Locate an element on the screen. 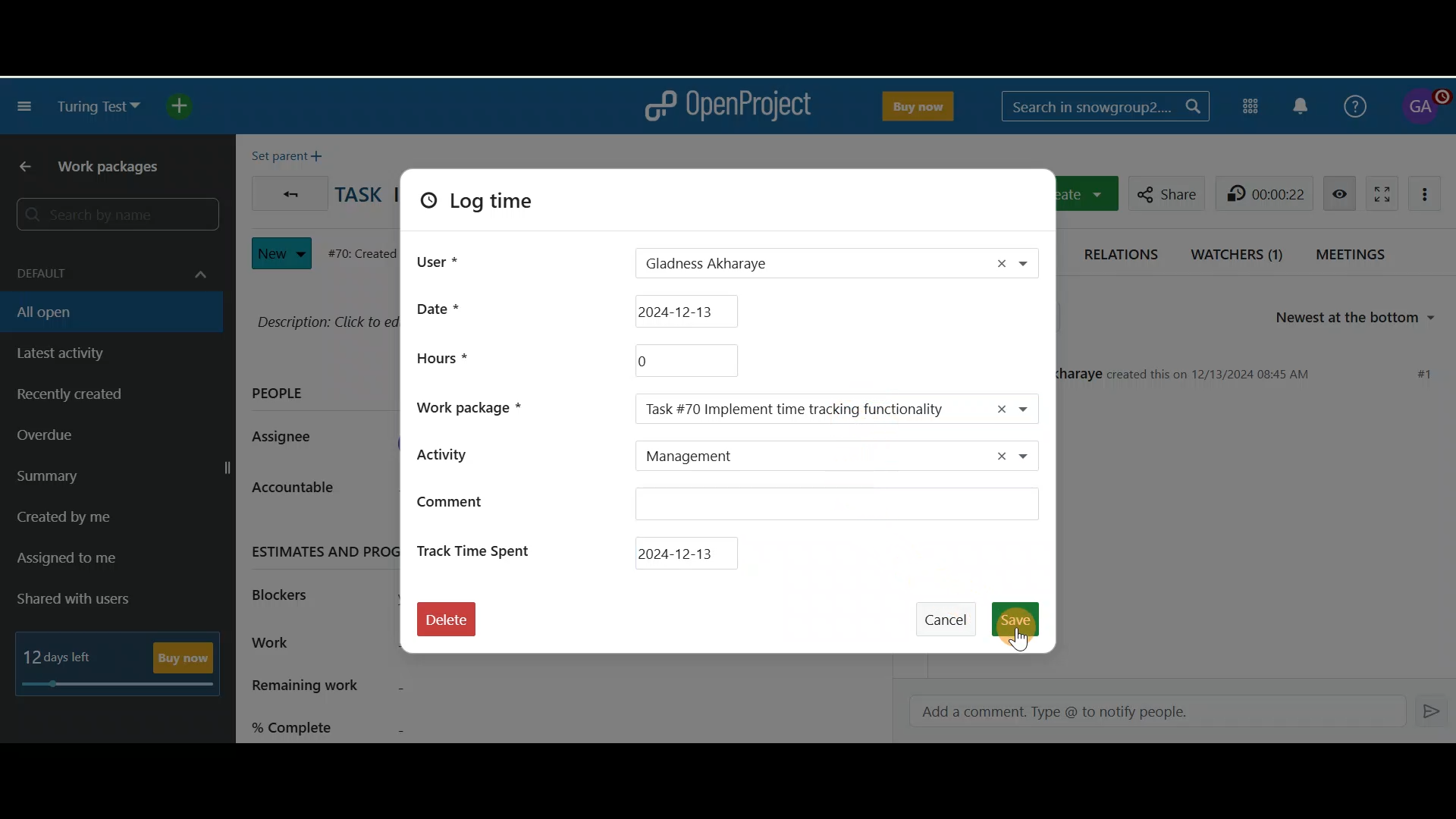 The image size is (1456, 819). Delete is located at coordinates (446, 624).